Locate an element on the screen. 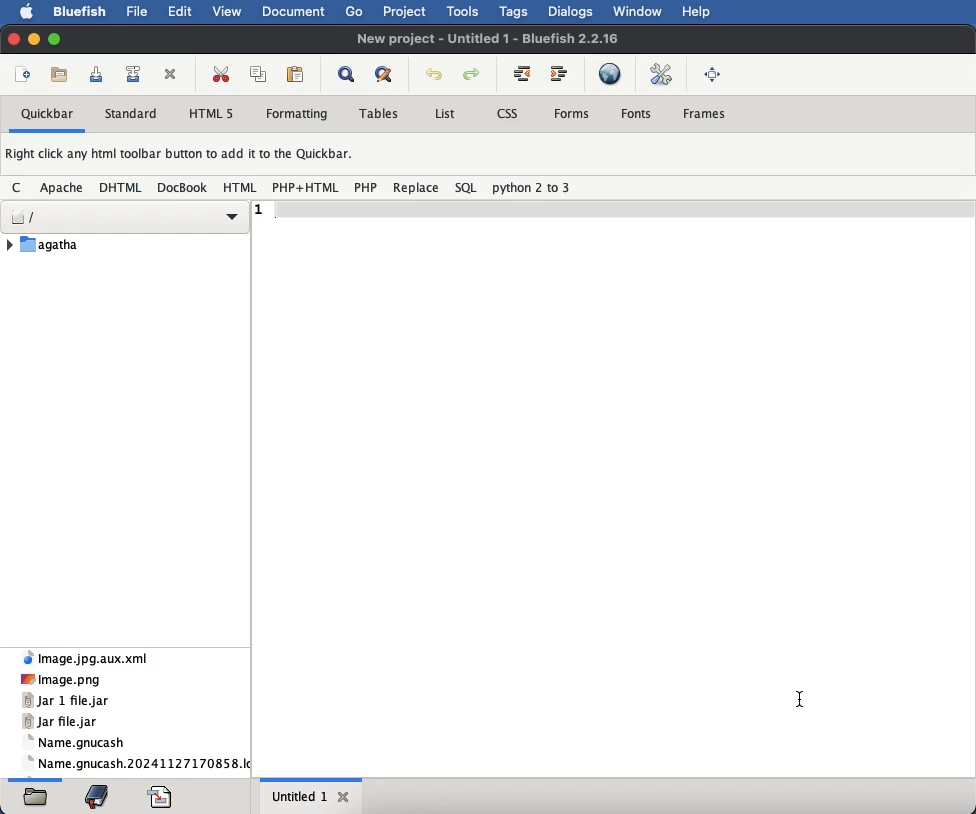 The height and width of the screenshot is (814, 976). tables is located at coordinates (381, 114).